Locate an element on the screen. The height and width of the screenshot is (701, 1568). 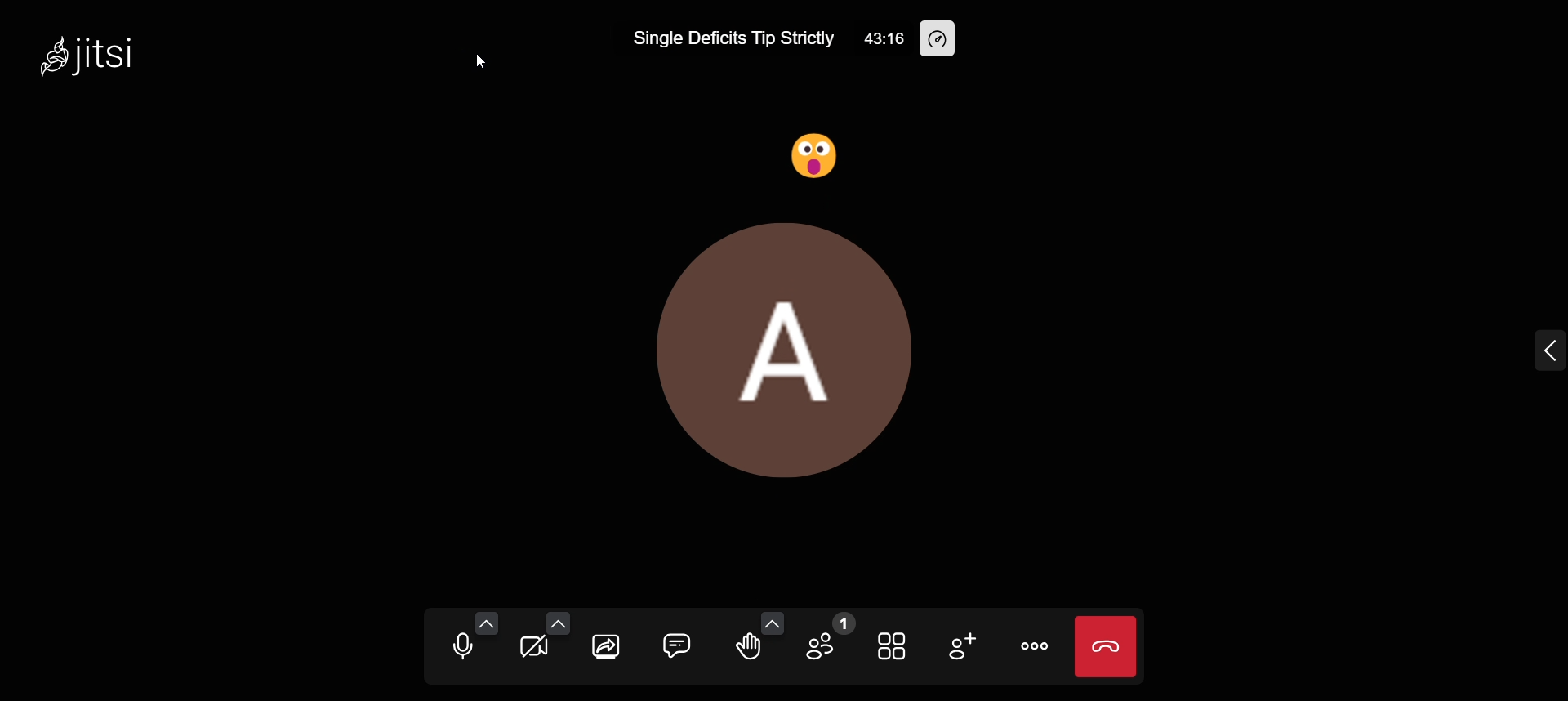
participants is located at coordinates (827, 638).